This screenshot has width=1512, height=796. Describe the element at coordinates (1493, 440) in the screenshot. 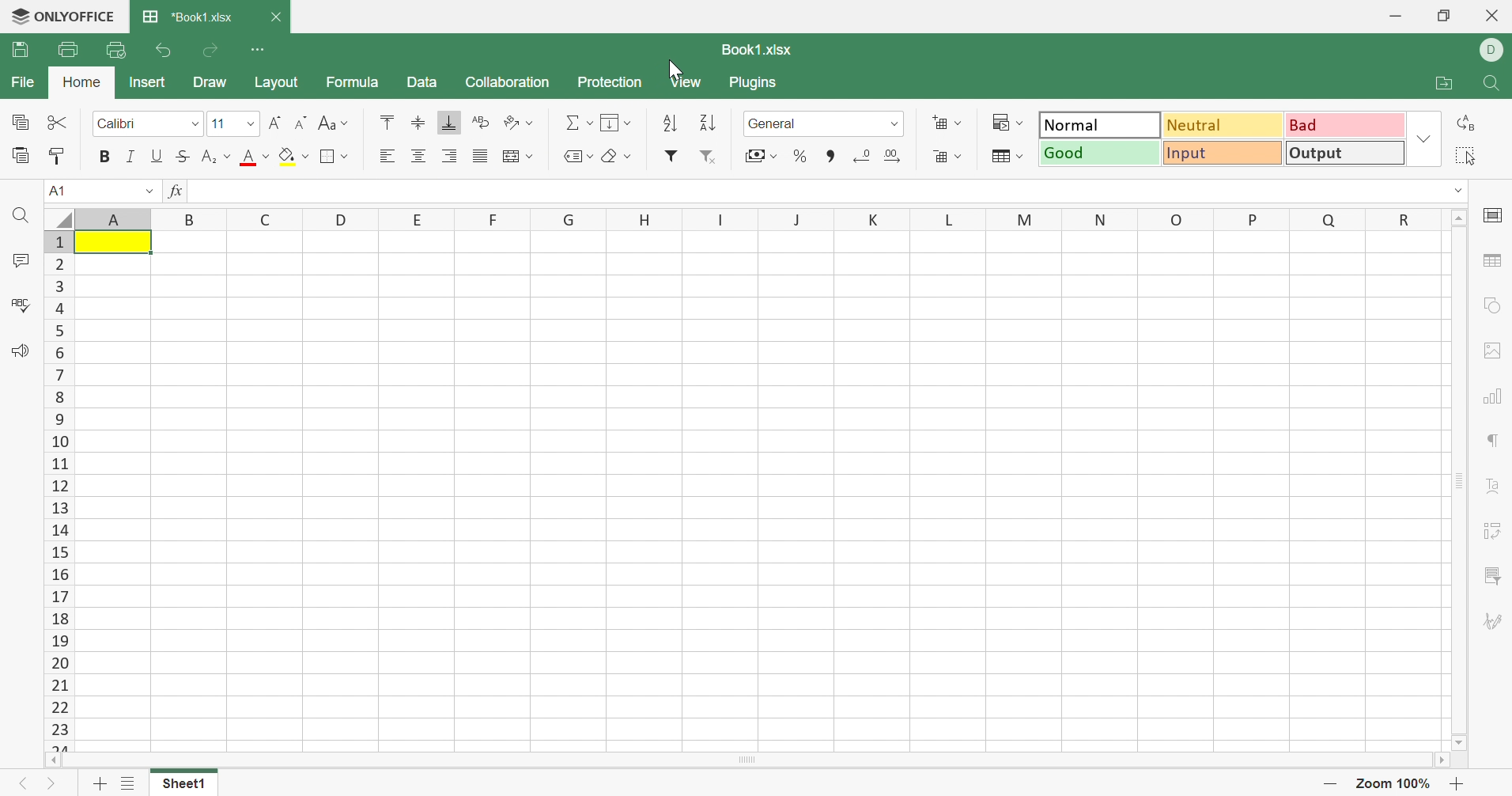

I see `Paragraph settings` at that location.